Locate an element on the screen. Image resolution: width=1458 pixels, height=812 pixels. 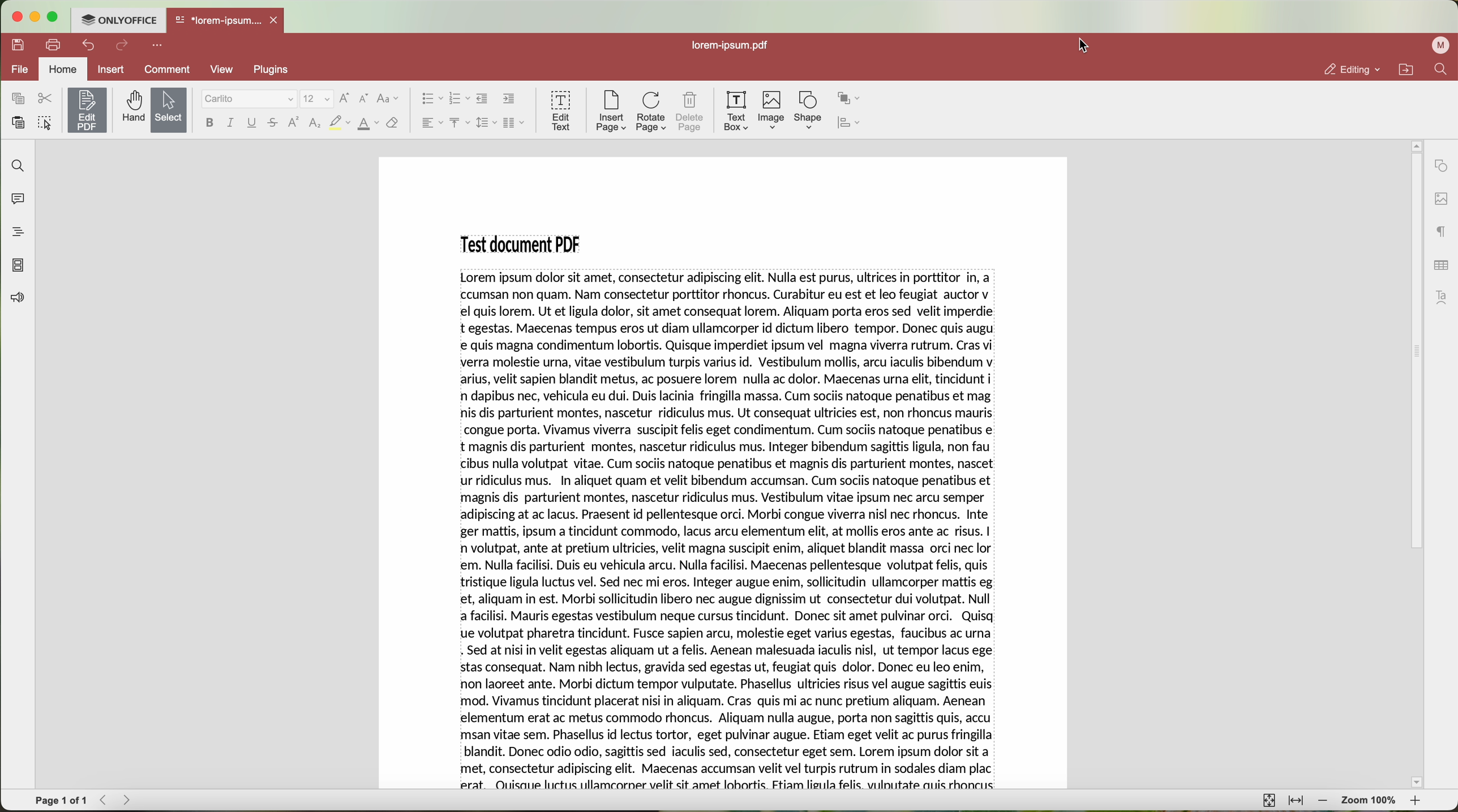
mouse is located at coordinates (1086, 43).